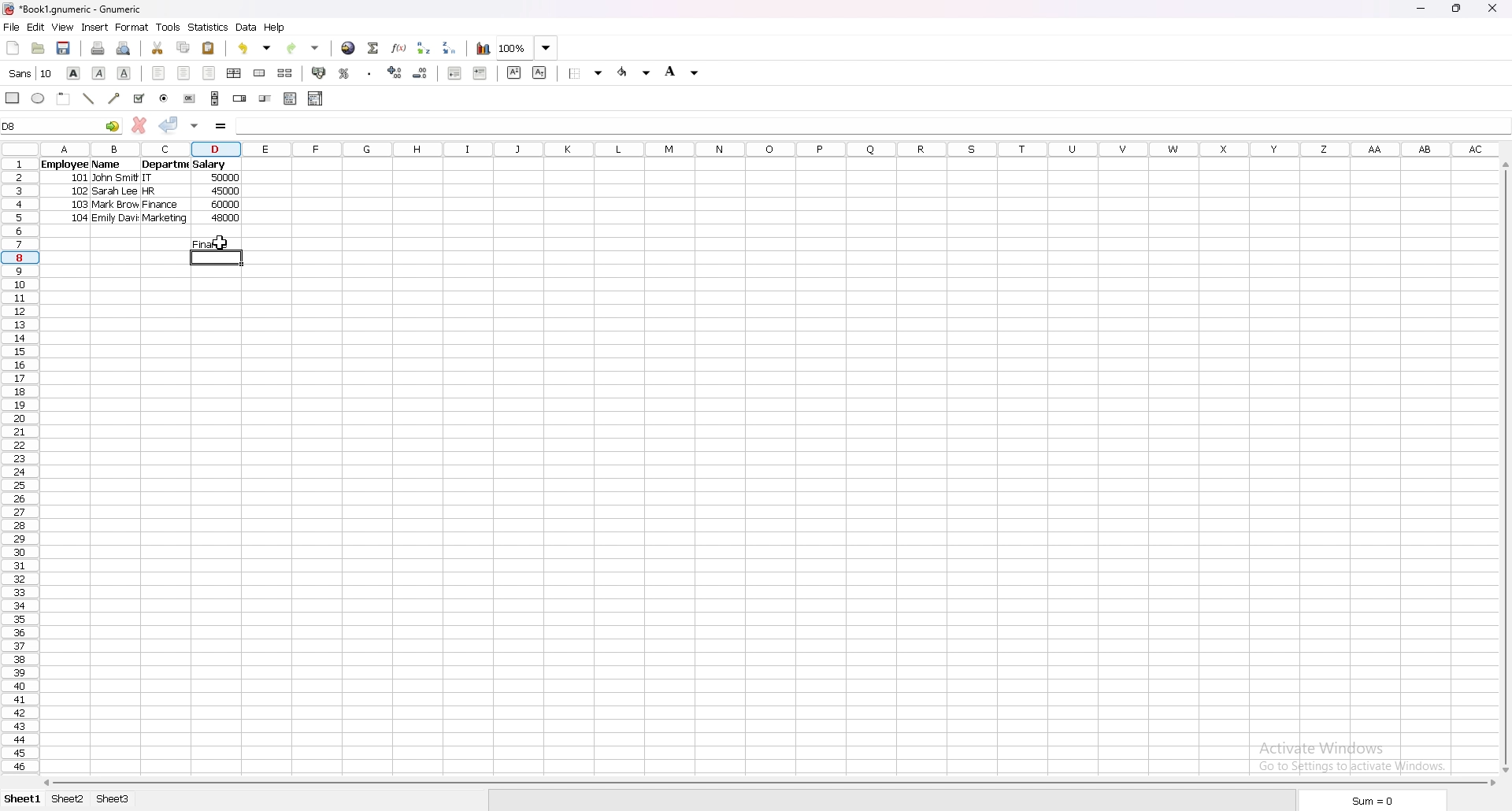  What do you see at coordinates (184, 73) in the screenshot?
I see `centre` at bounding box center [184, 73].